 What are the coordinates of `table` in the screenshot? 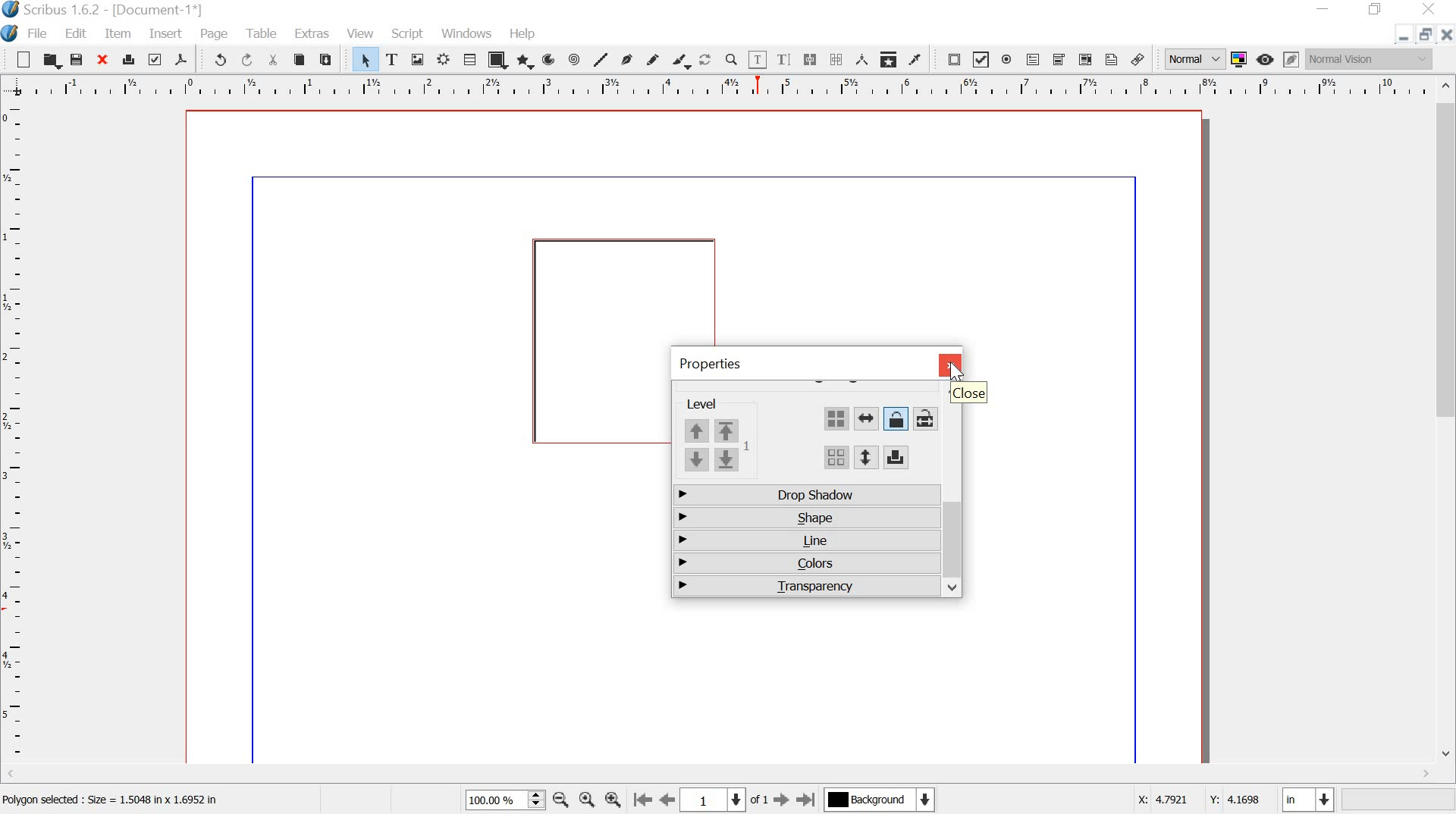 It's located at (263, 34).